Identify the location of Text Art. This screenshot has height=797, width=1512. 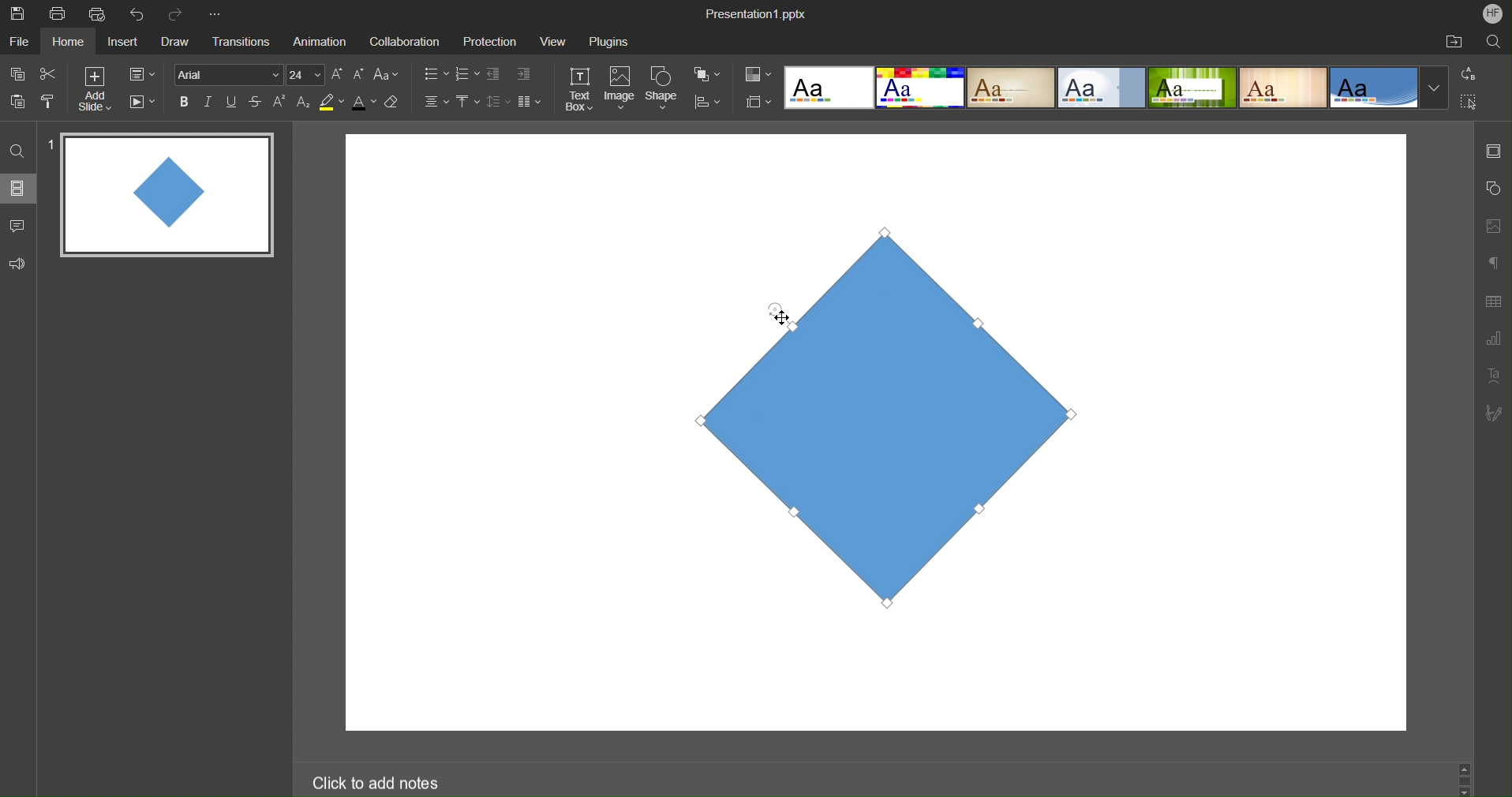
(1493, 376).